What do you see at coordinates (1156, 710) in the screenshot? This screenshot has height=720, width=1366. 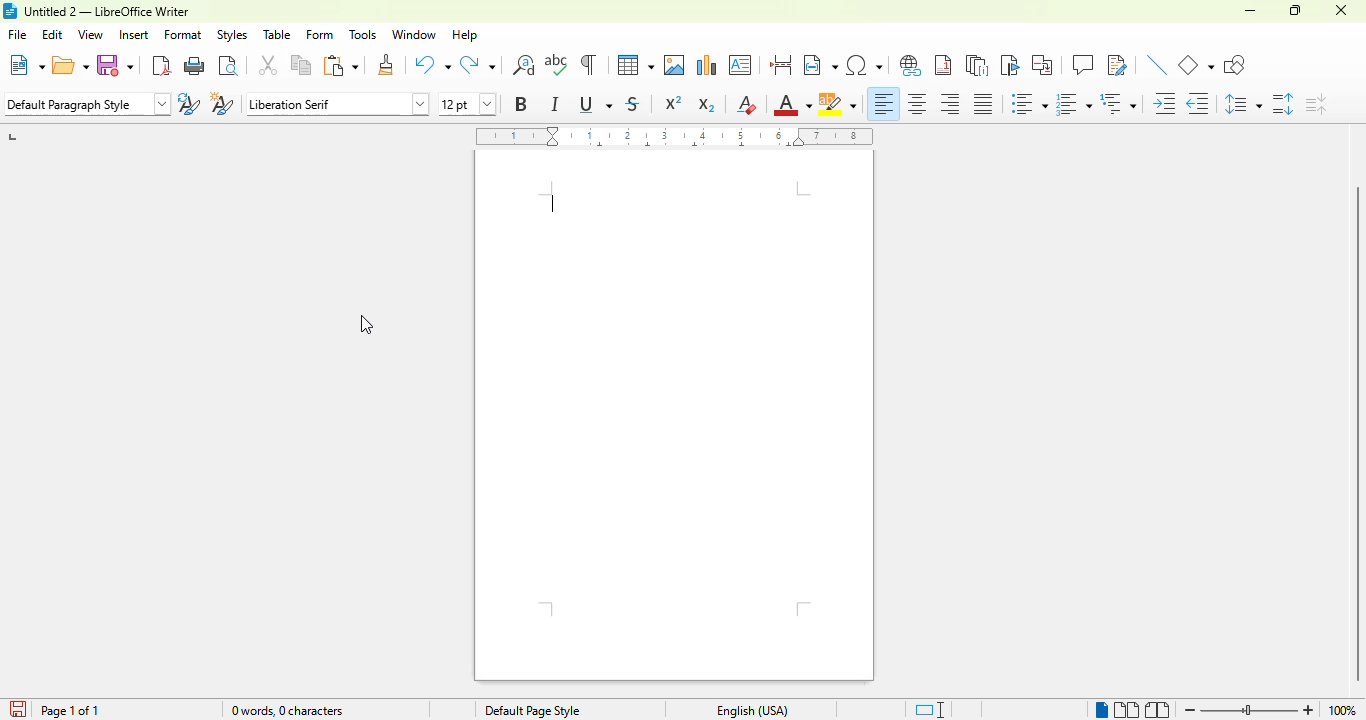 I see `book view` at bounding box center [1156, 710].